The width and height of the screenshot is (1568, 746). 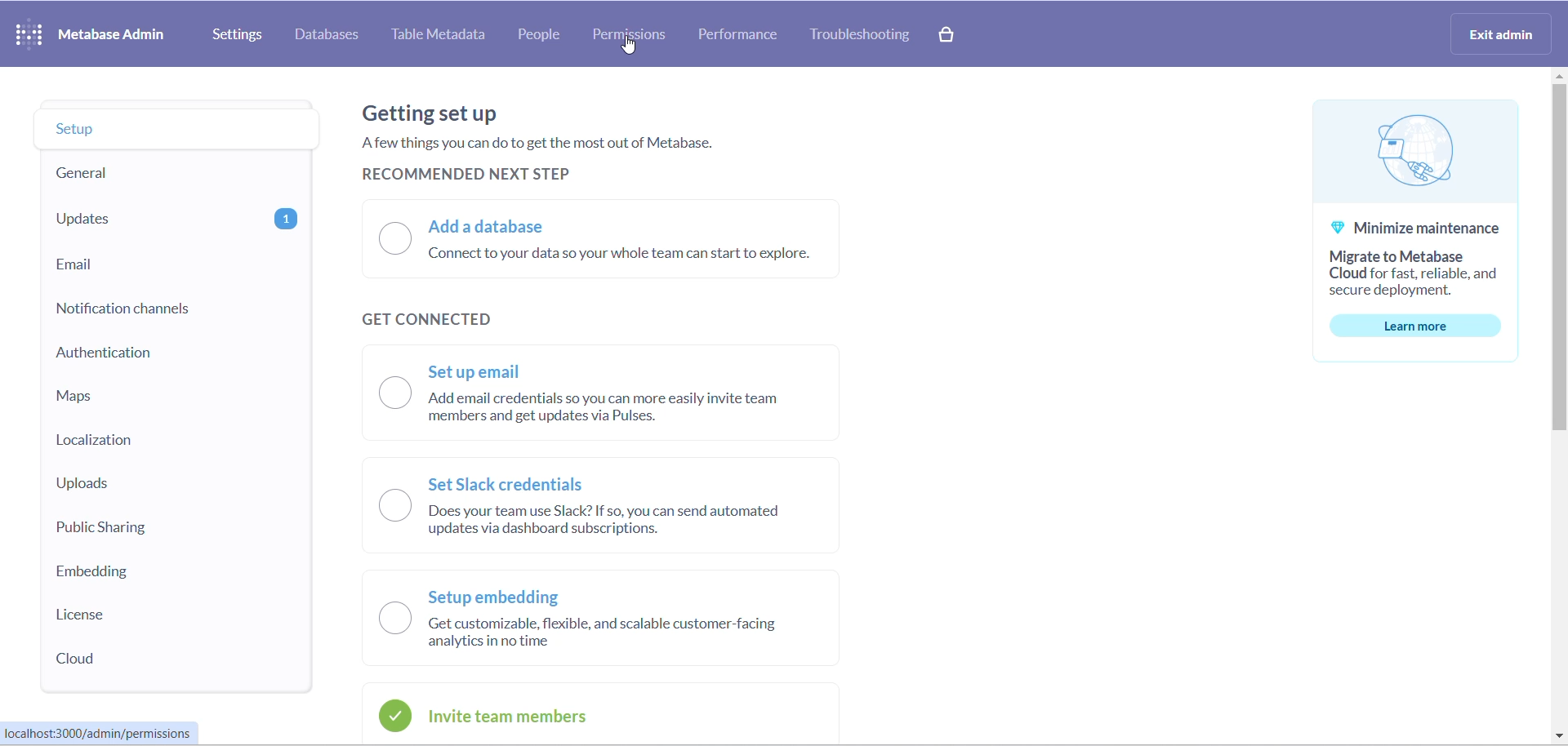 What do you see at coordinates (617, 242) in the screenshot?
I see `add a database radio button` at bounding box center [617, 242].